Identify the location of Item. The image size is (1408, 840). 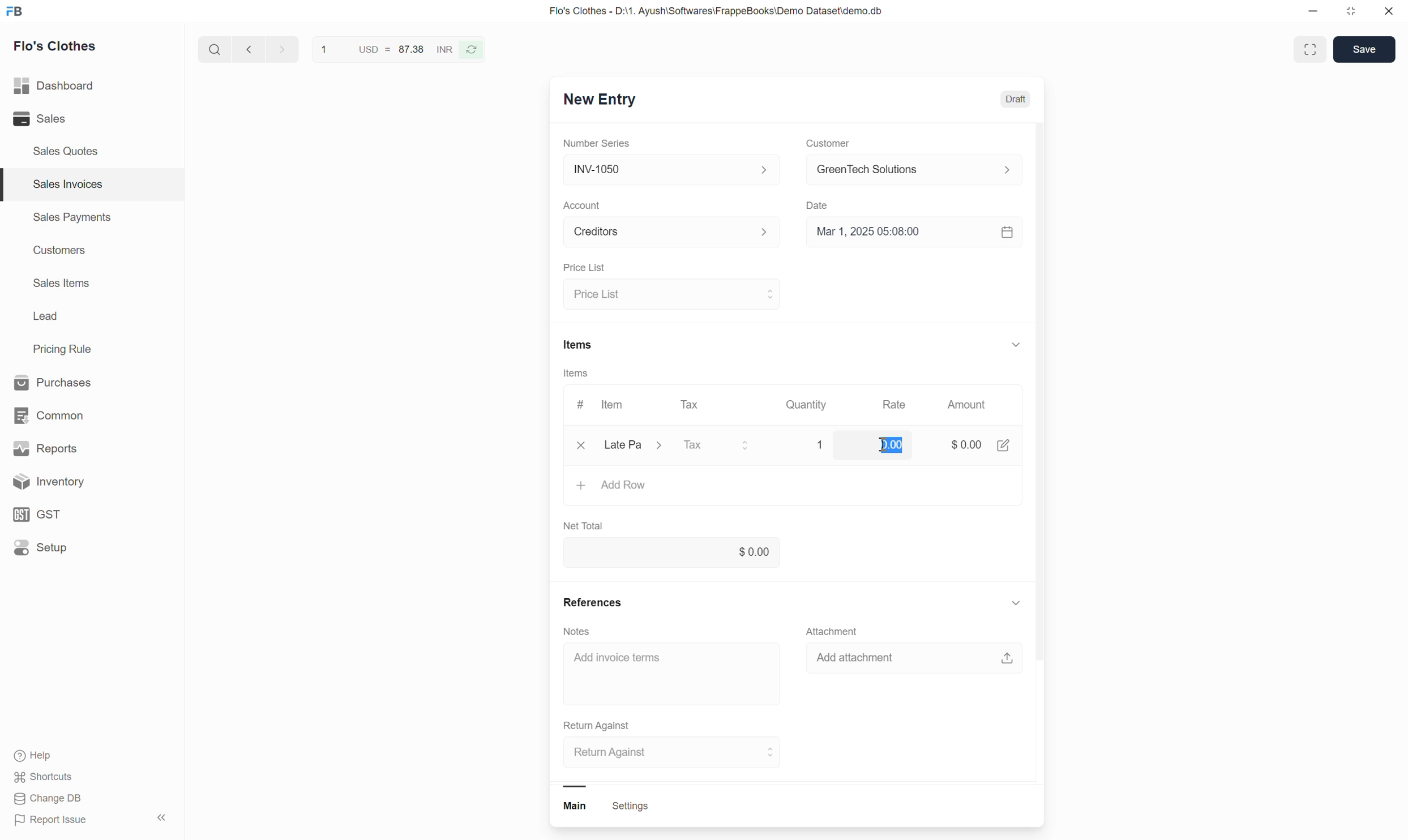
(614, 405).